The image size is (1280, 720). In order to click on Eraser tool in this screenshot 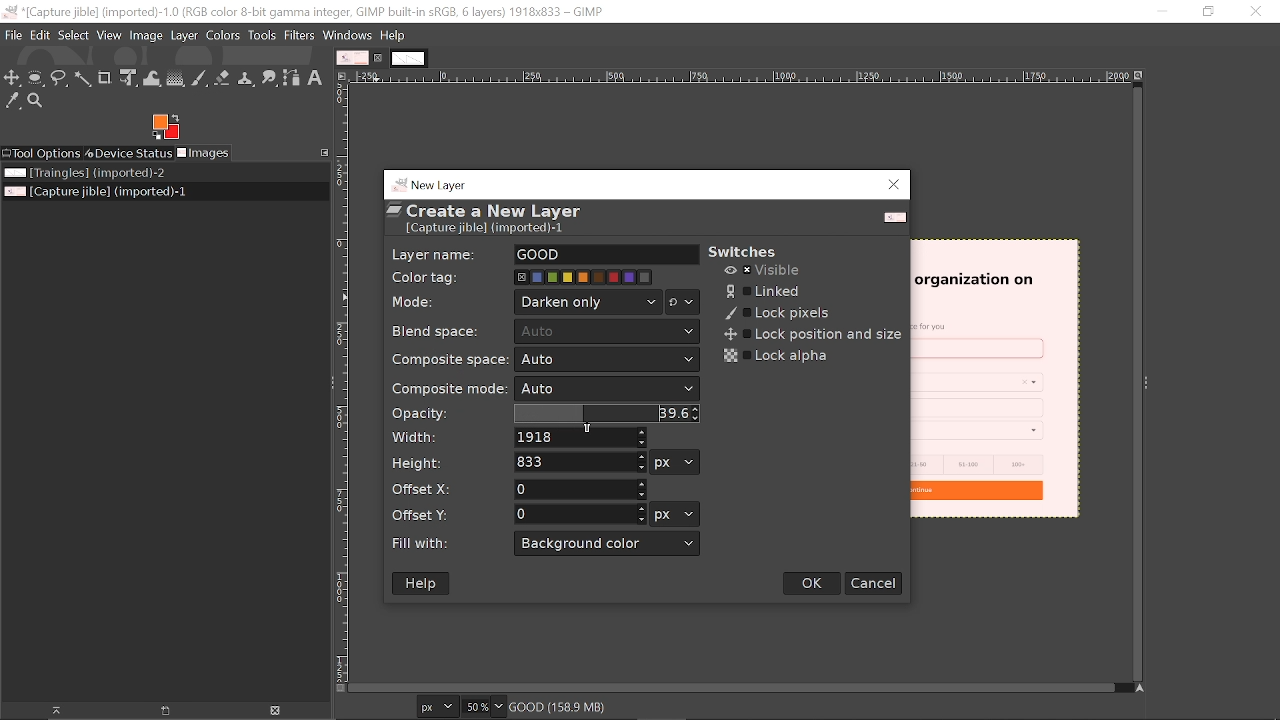, I will do `click(223, 78)`.